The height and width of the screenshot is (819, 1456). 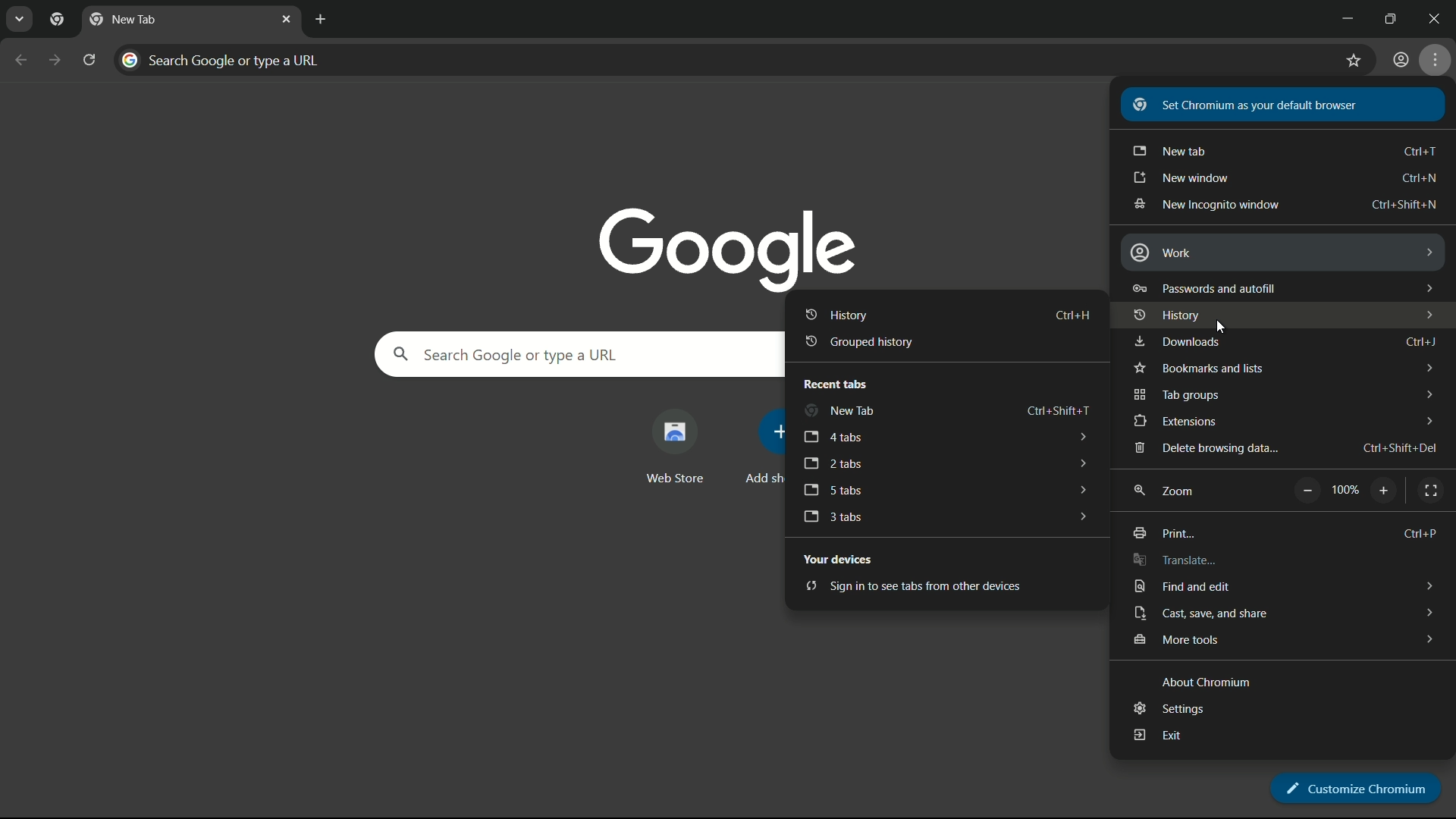 I want to click on grouped history, so click(x=855, y=340).